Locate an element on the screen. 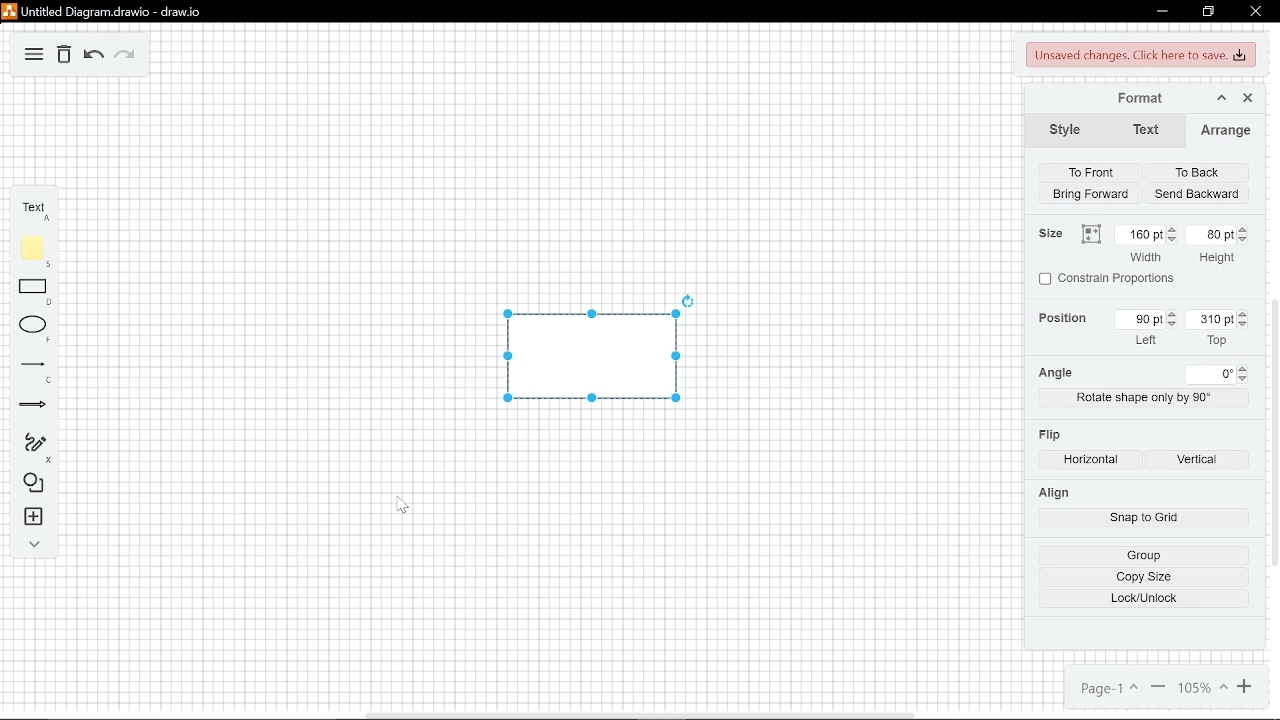 This screenshot has height=720, width=1280. copy size is located at coordinates (1144, 577).